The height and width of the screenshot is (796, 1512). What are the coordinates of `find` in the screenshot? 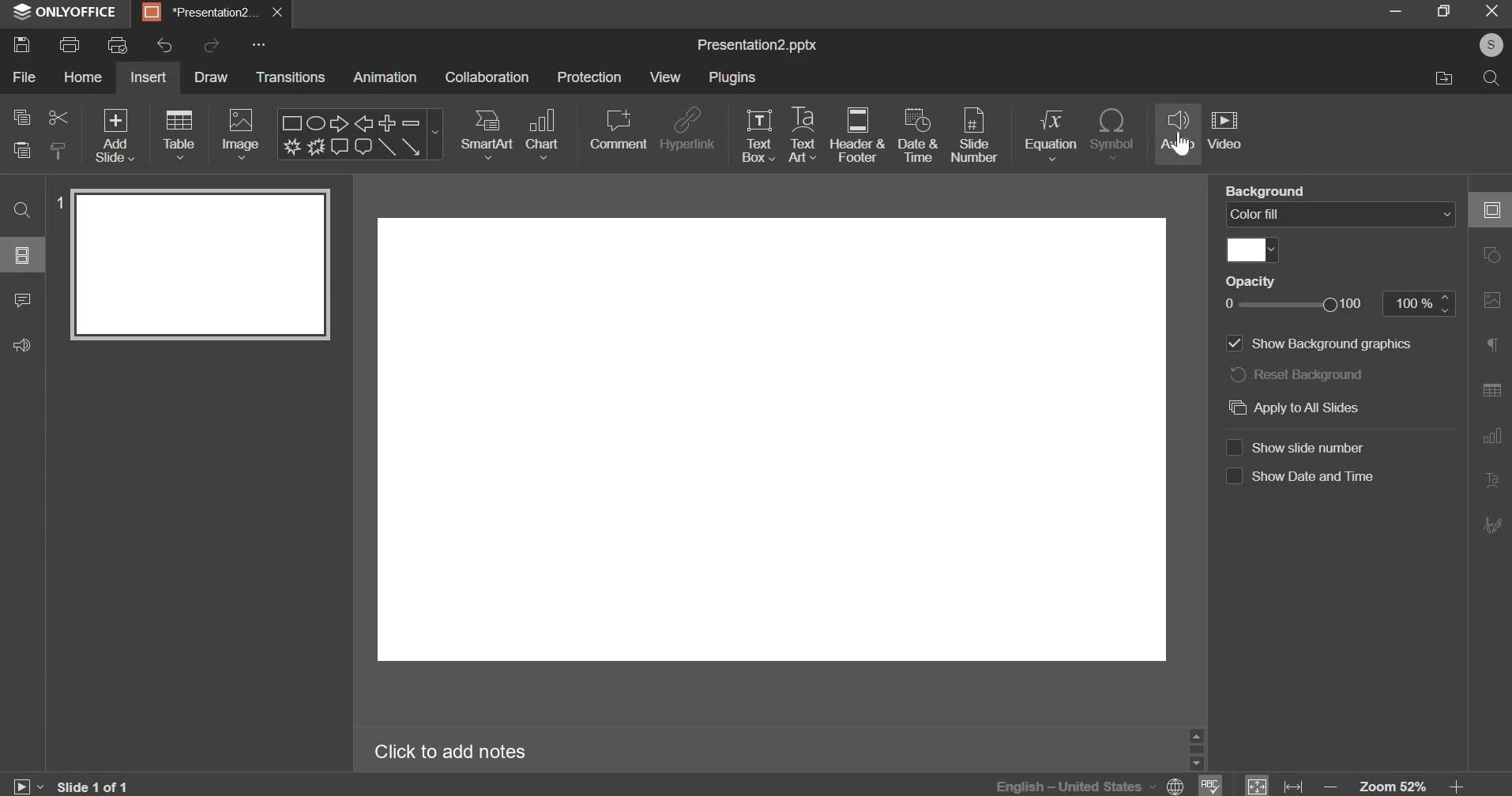 It's located at (24, 211).